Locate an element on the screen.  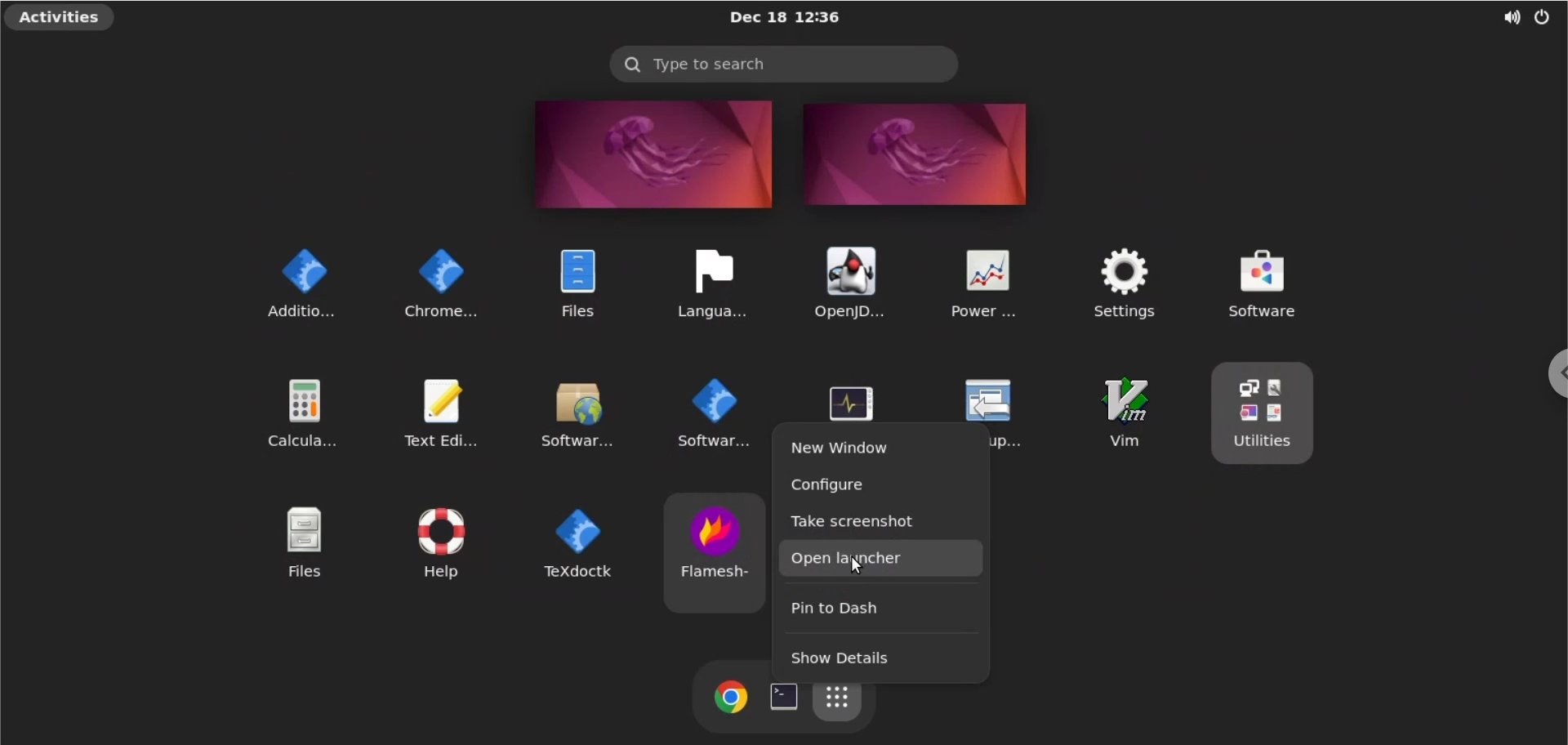
take screenshot is located at coordinates (874, 523).